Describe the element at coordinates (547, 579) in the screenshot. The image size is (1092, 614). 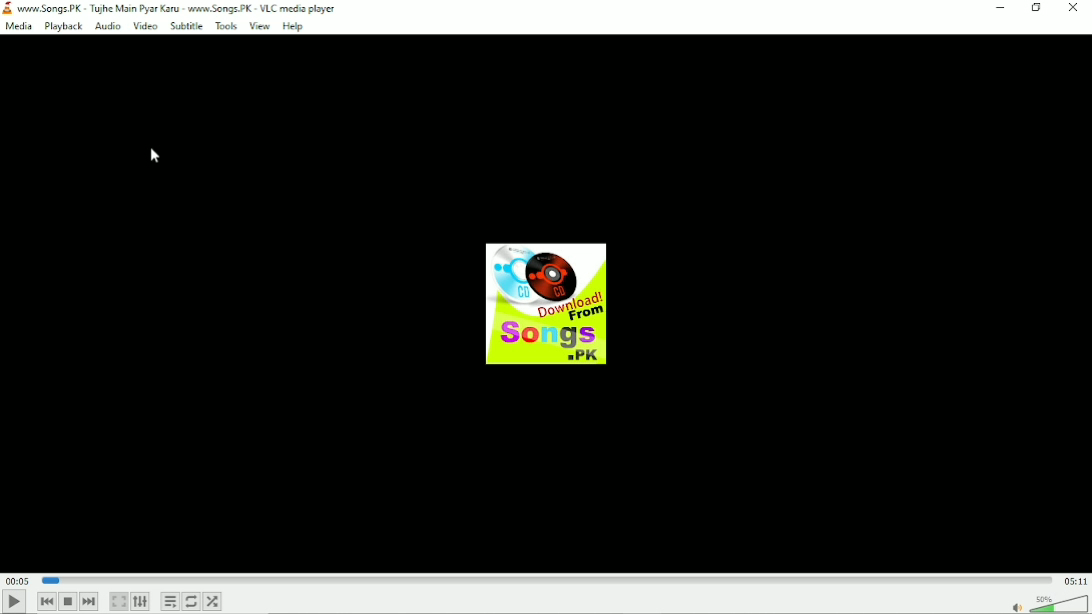
I see `Play duration` at that location.